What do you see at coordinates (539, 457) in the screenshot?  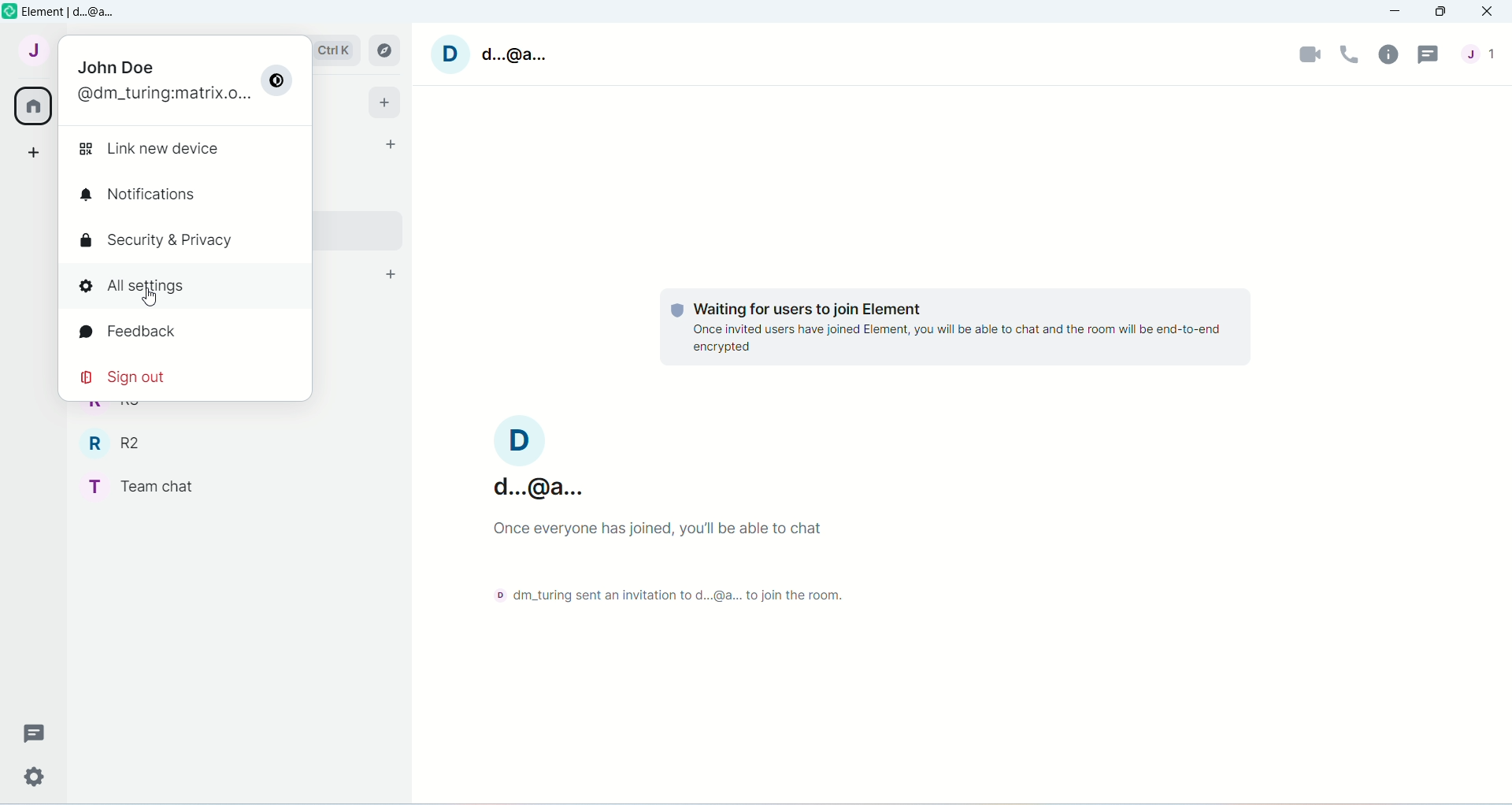 I see `Username-d..@a` at bounding box center [539, 457].